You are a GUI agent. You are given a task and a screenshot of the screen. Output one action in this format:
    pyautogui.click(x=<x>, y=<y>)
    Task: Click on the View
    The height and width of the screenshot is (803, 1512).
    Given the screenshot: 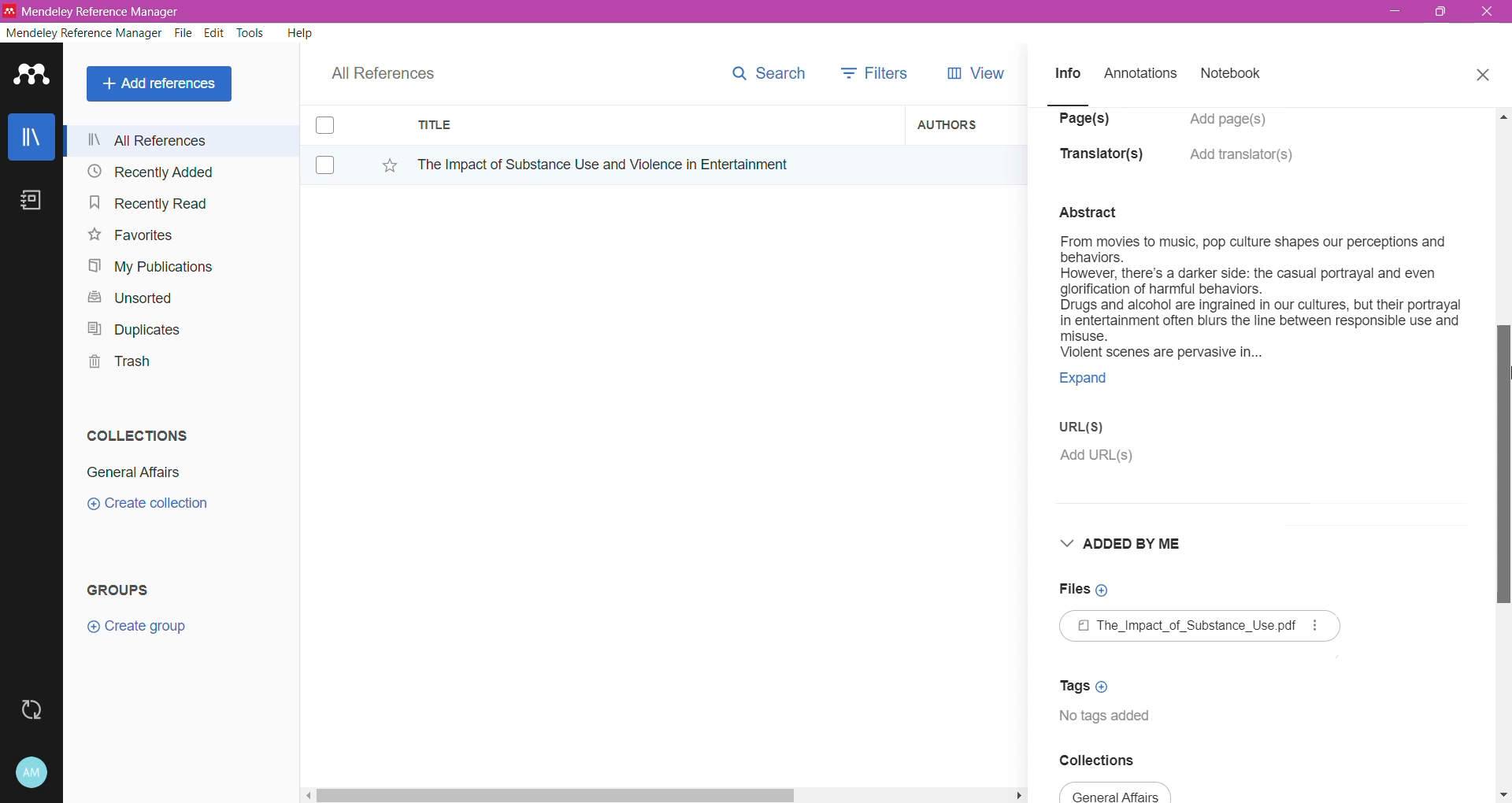 What is the action you would take?
    pyautogui.click(x=973, y=73)
    